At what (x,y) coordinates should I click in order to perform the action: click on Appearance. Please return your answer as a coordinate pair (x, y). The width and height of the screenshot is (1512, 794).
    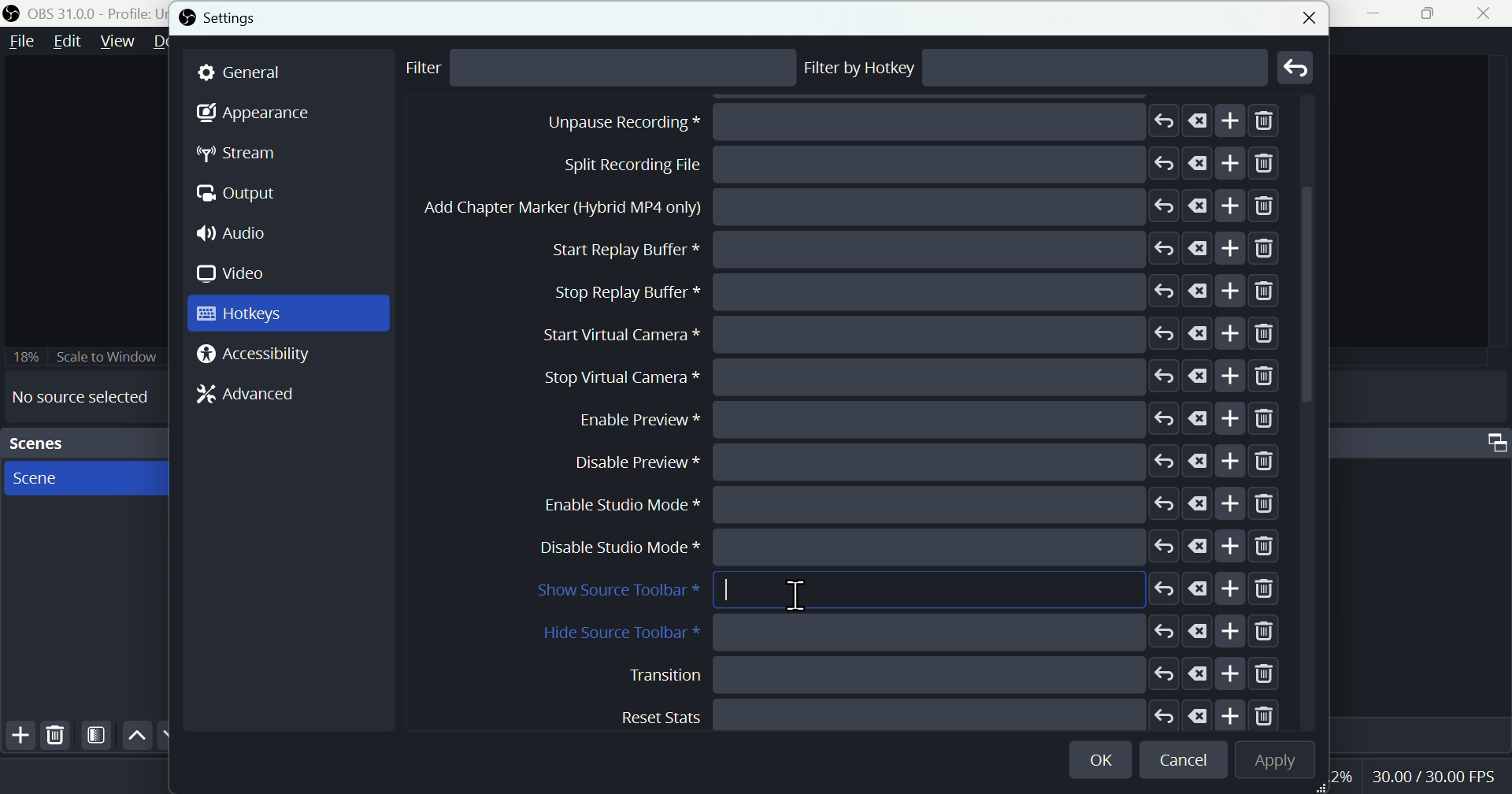
    Looking at the image, I should click on (253, 117).